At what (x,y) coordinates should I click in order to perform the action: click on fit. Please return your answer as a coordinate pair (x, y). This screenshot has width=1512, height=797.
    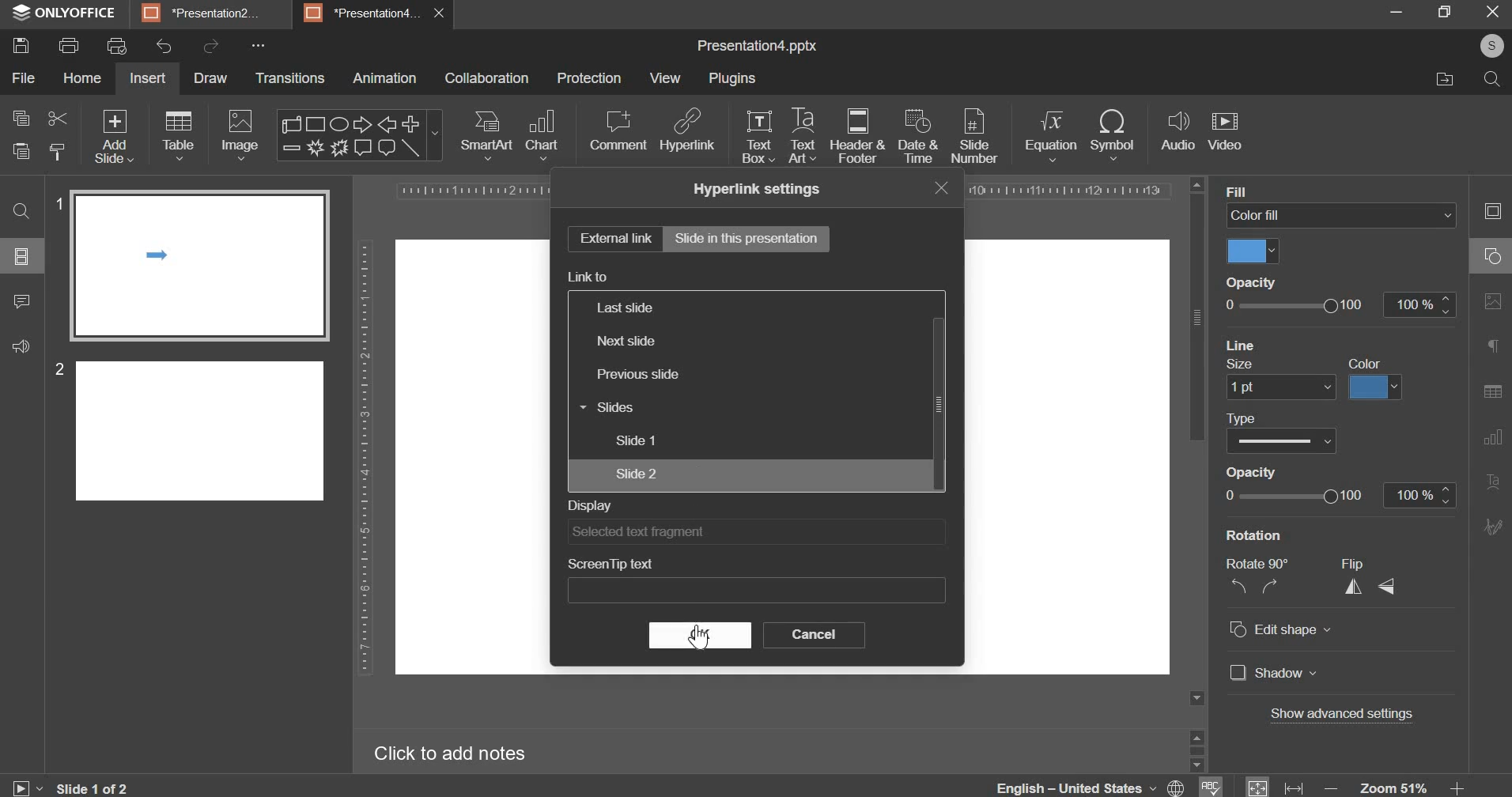
    Looking at the image, I should click on (1273, 784).